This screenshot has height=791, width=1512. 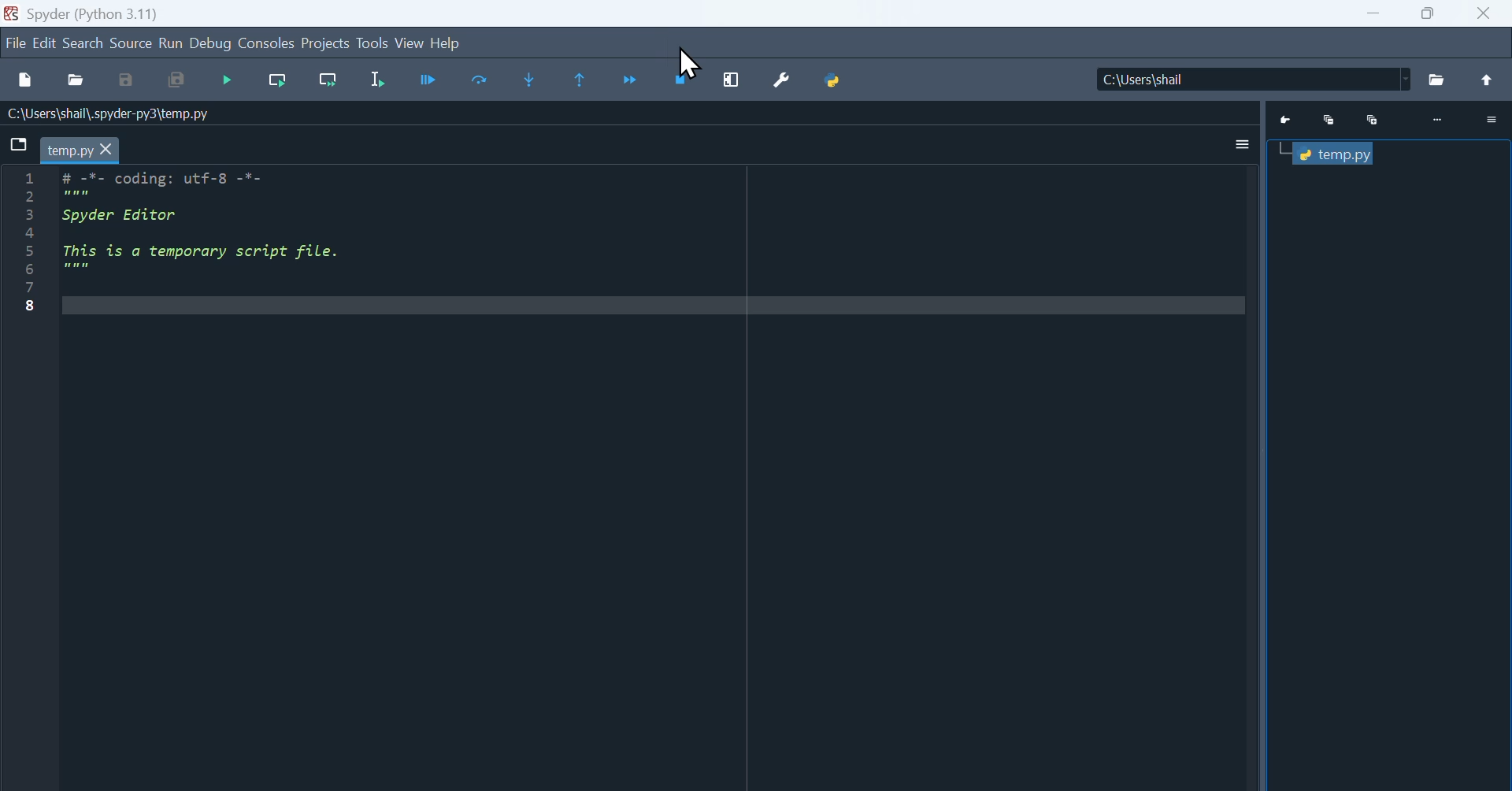 I want to click on run, so click(x=171, y=44).